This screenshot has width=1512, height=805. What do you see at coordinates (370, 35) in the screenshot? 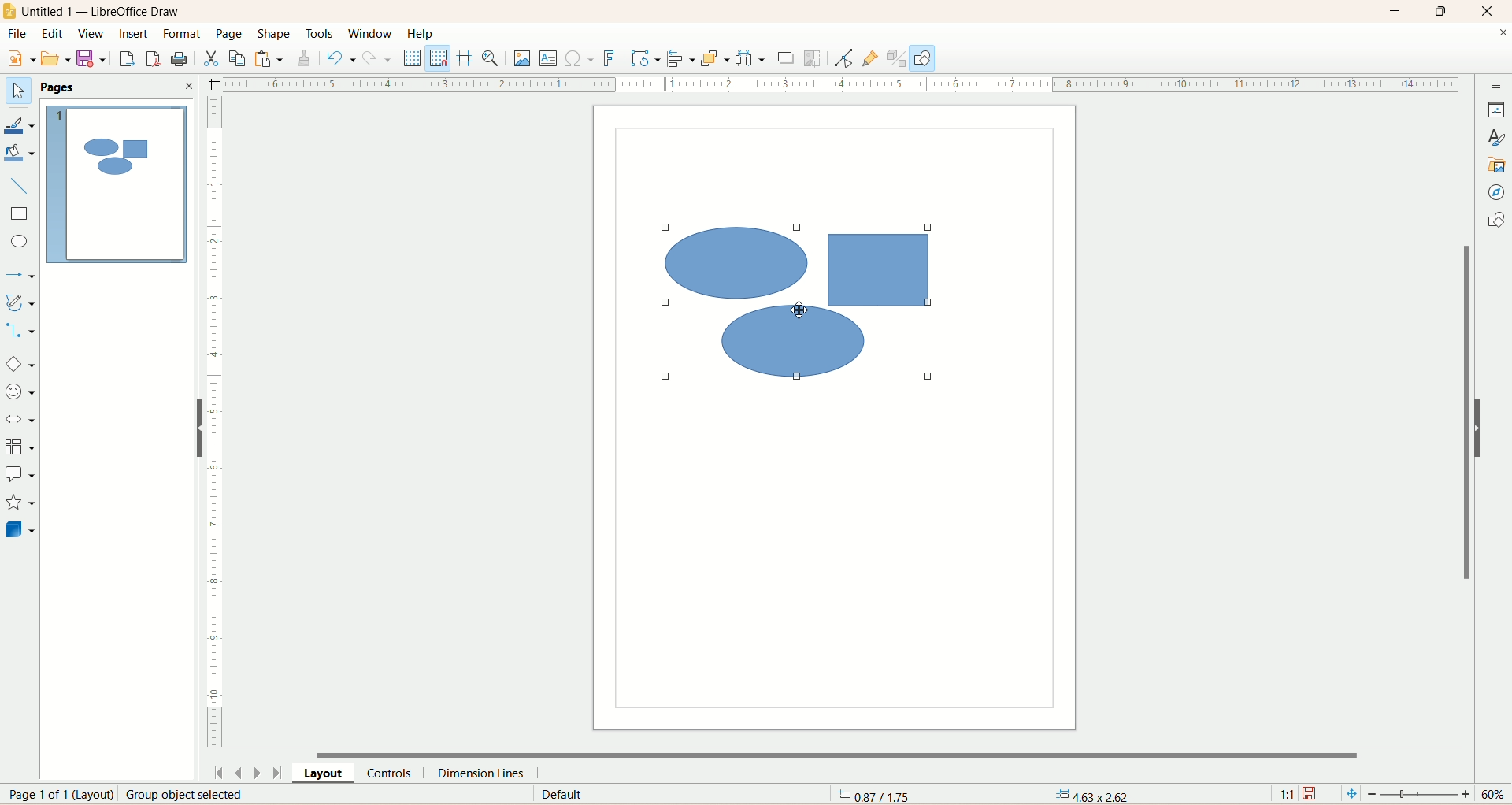
I see `window` at bounding box center [370, 35].